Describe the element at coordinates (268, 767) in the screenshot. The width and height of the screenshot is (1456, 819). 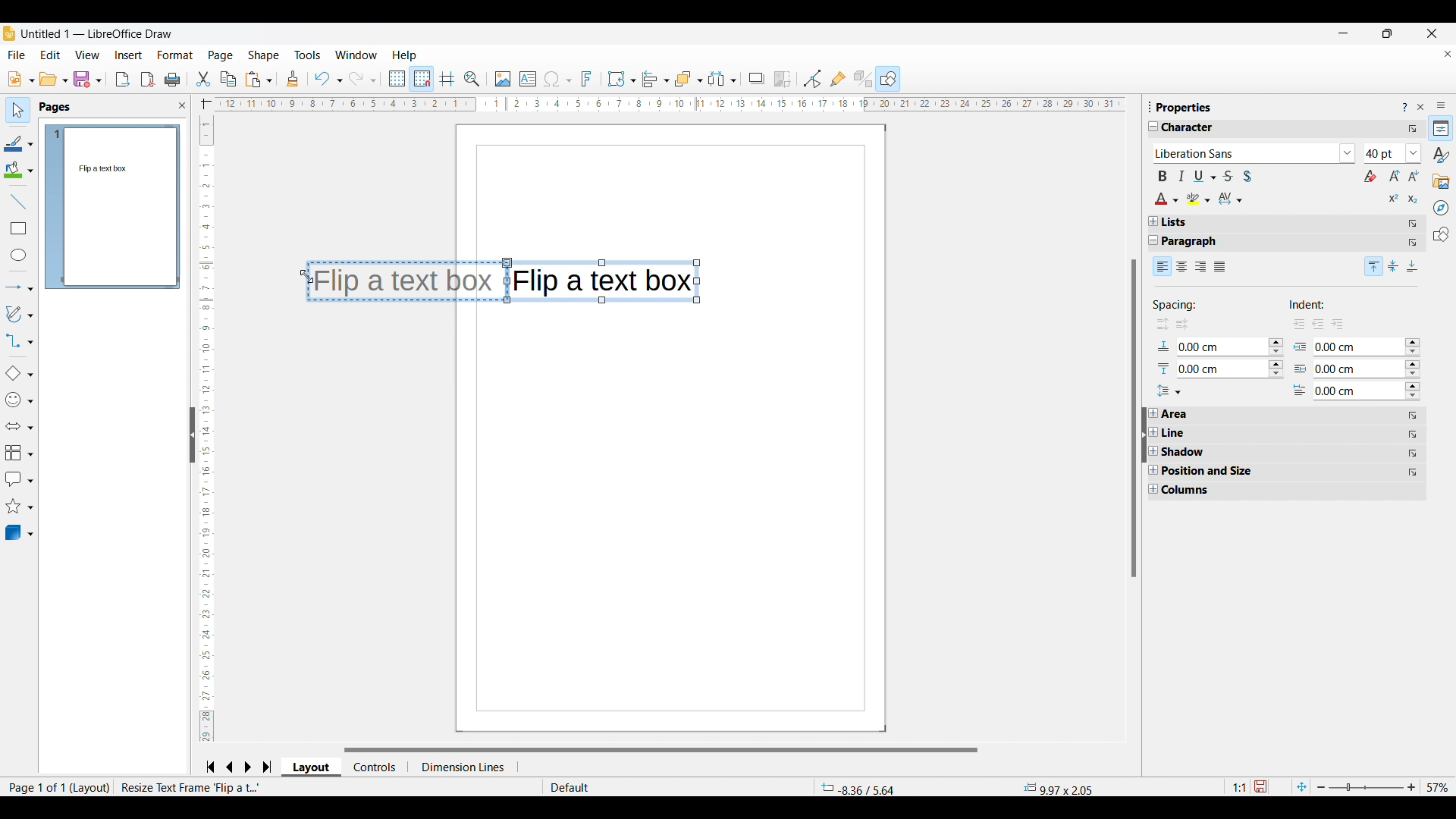
I see `Jump to last slide` at that location.